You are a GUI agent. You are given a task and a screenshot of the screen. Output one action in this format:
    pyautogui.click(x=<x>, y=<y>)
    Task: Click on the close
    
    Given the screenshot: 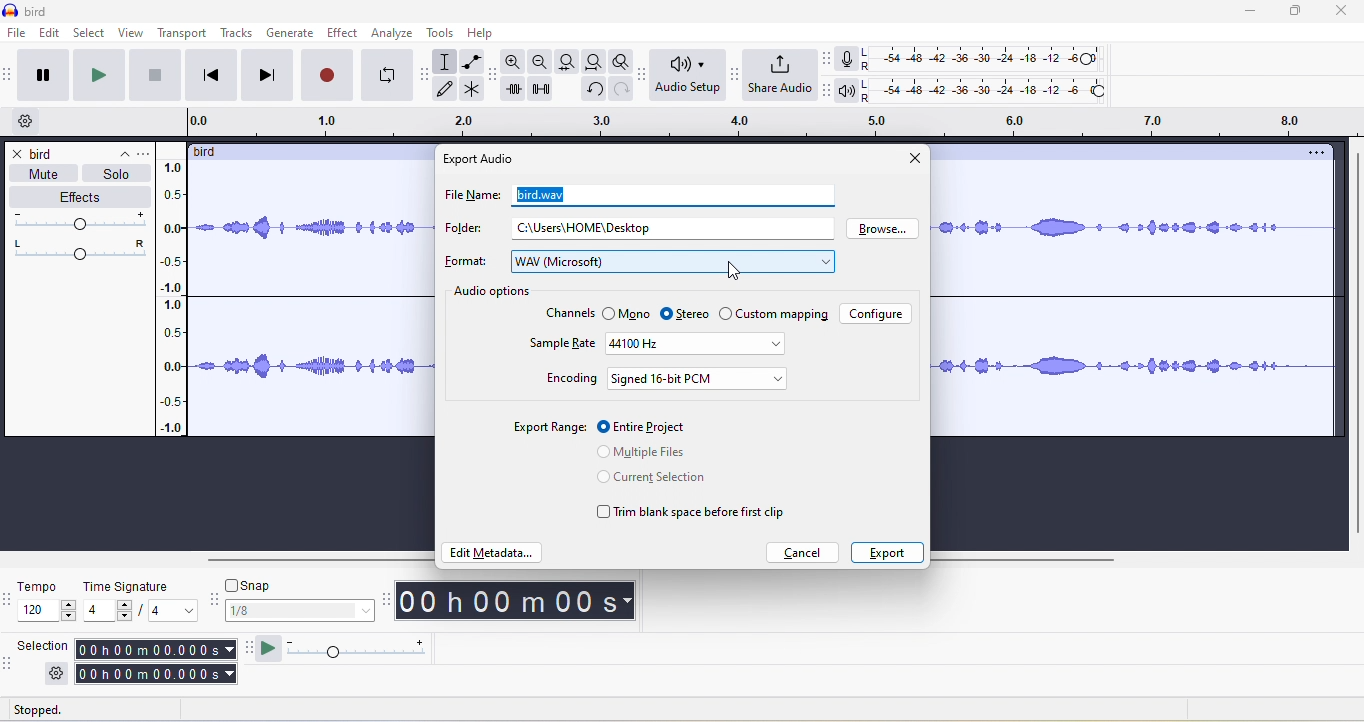 What is the action you would take?
    pyautogui.click(x=16, y=155)
    